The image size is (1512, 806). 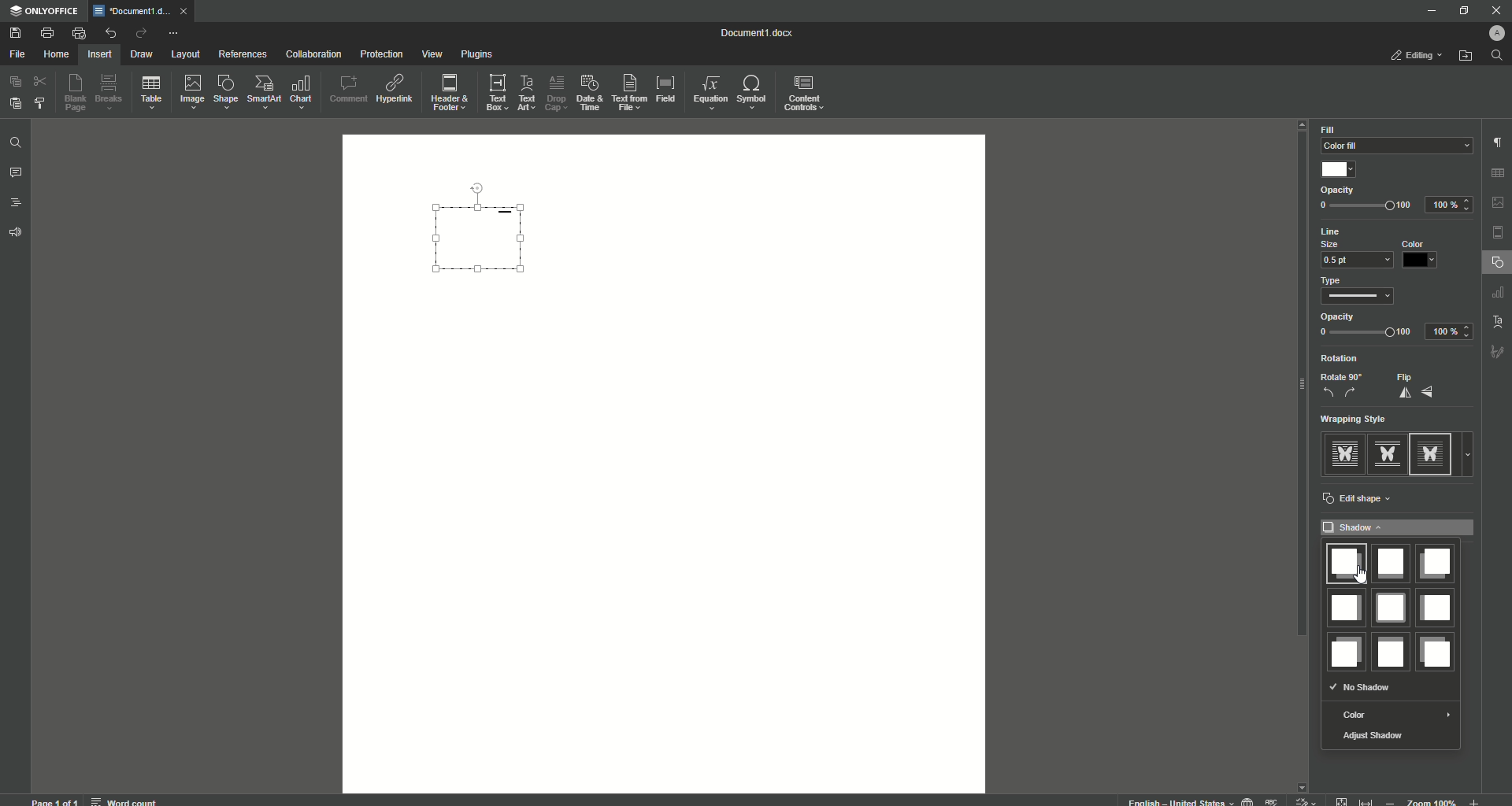 I want to click on fit to page, so click(x=1343, y=800).